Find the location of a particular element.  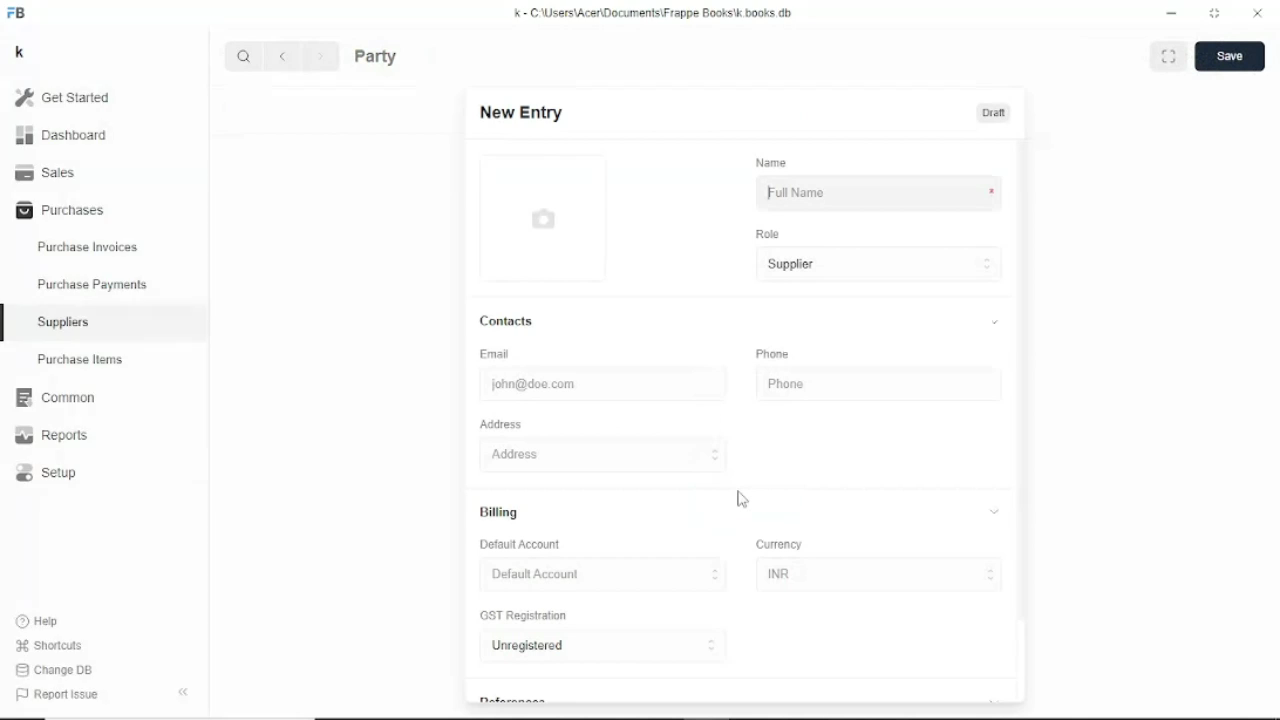

Minimize is located at coordinates (1171, 13).